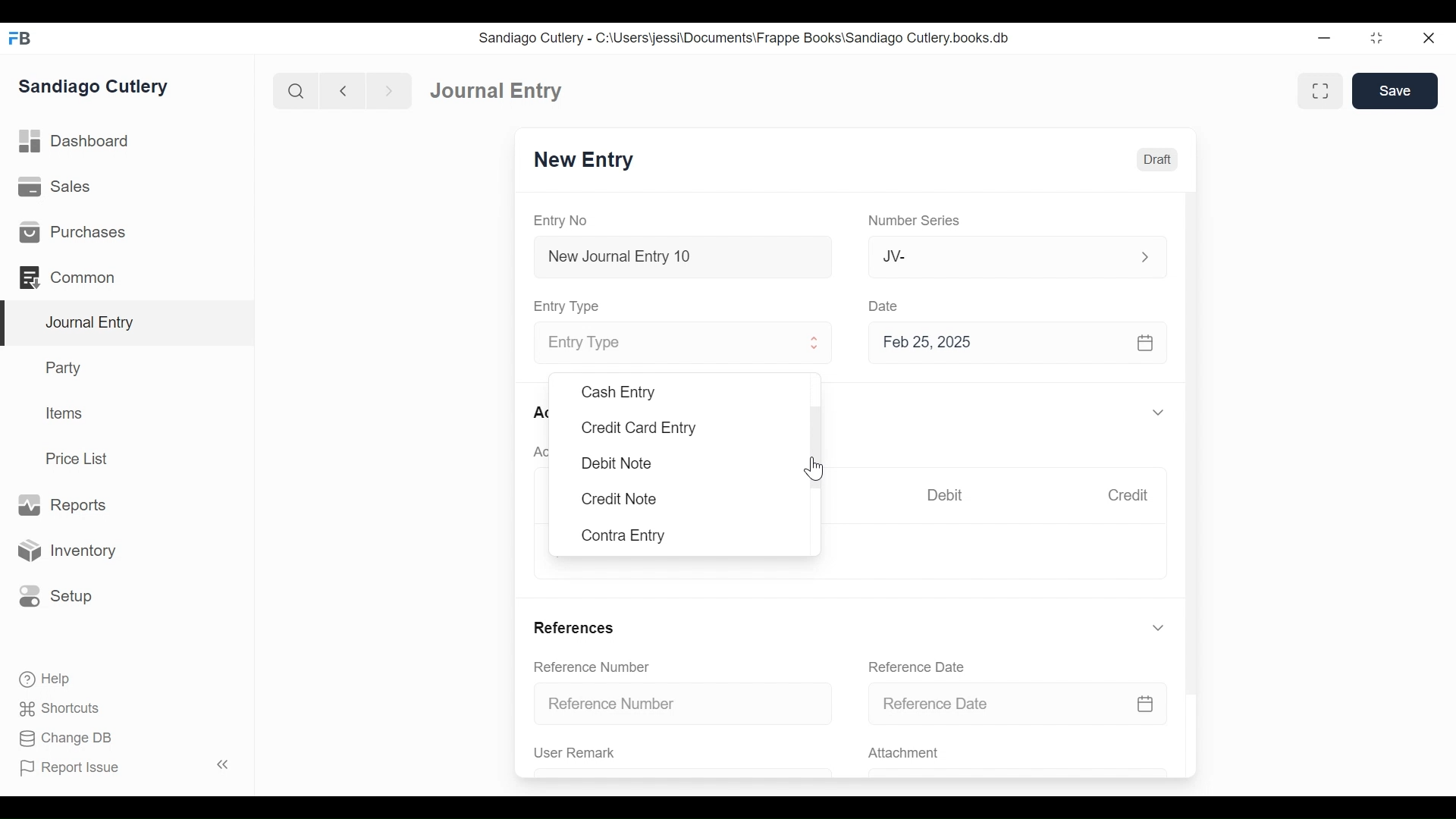 Image resolution: width=1456 pixels, height=819 pixels. I want to click on Help, so click(42, 677).